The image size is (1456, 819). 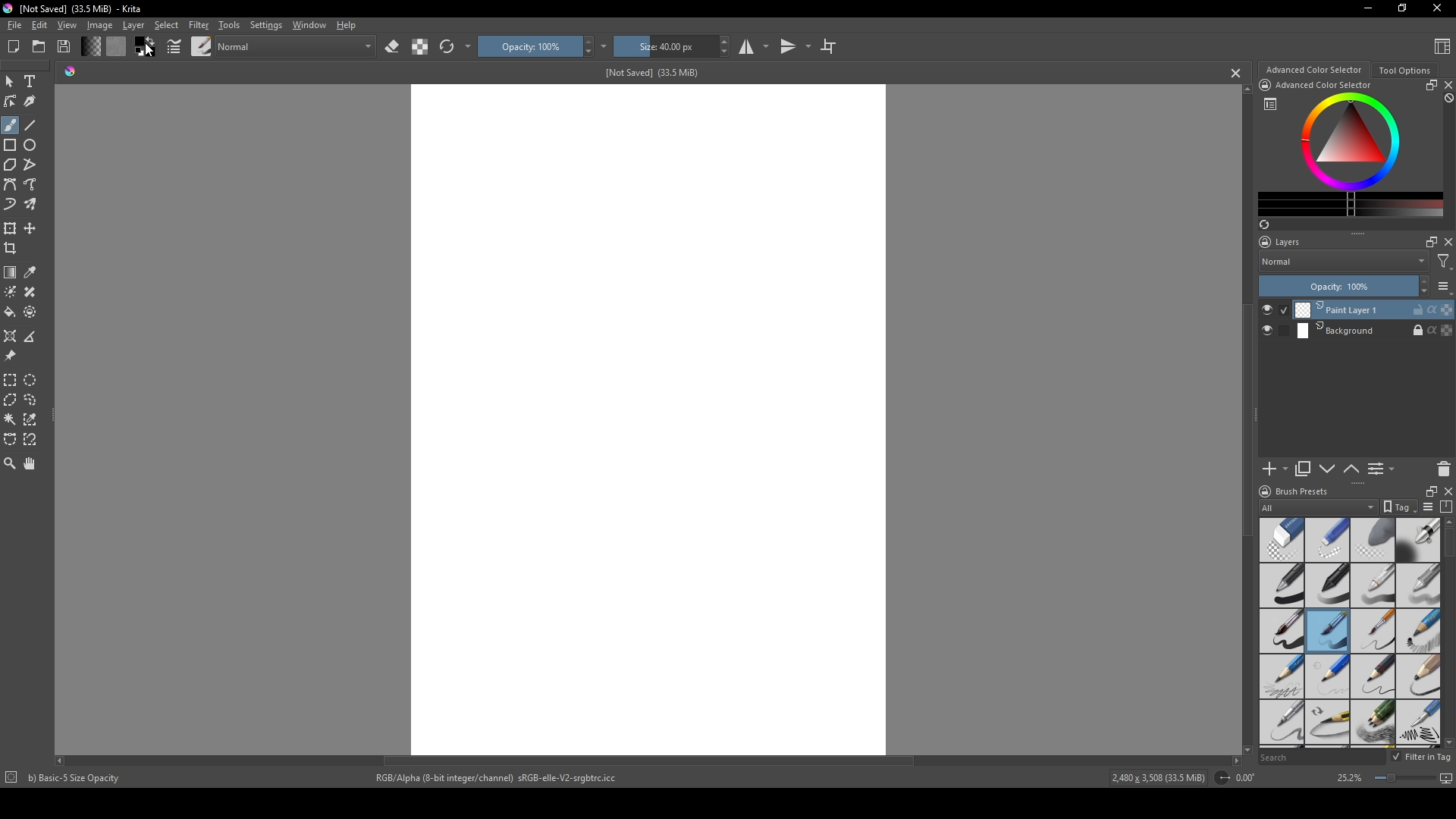 What do you see at coordinates (32, 101) in the screenshot?
I see `calligraphy` at bounding box center [32, 101].